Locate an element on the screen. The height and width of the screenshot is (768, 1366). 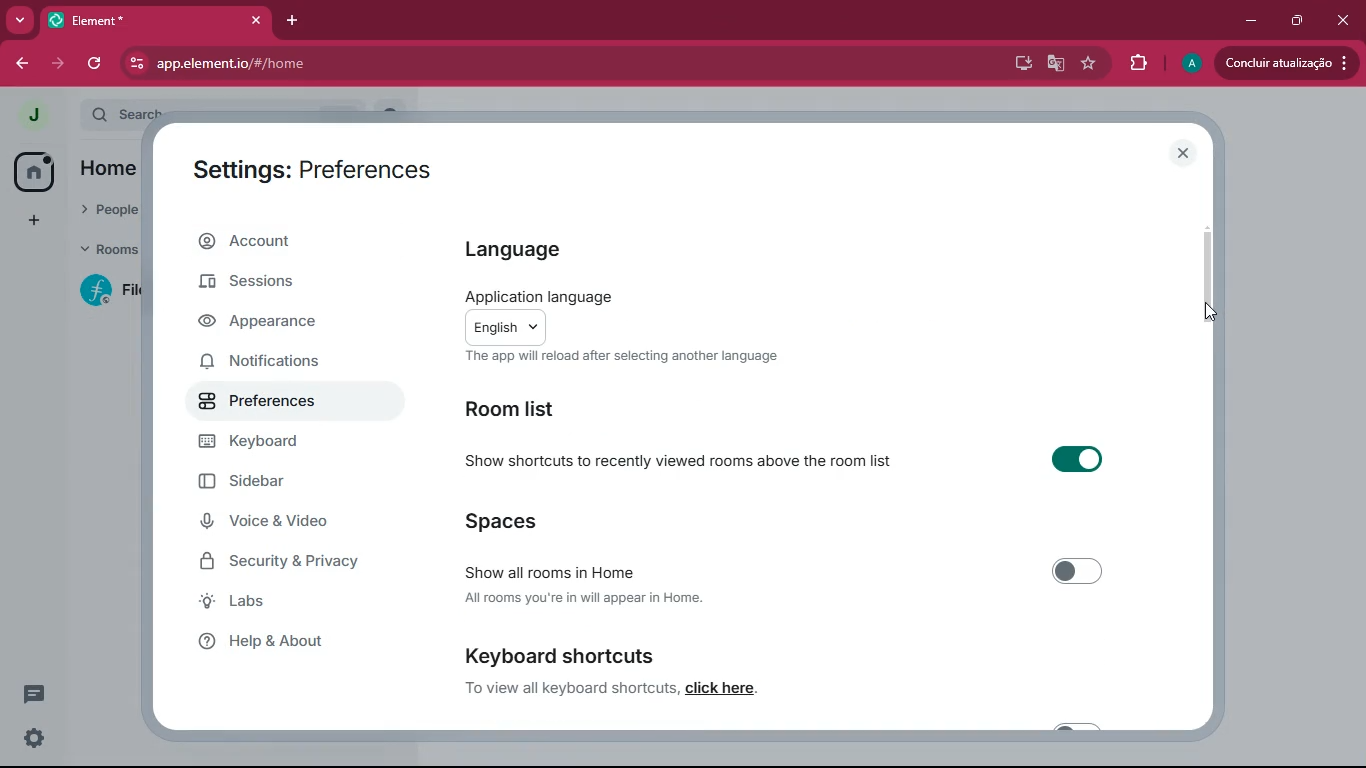
translate is located at coordinates (1057, 64).